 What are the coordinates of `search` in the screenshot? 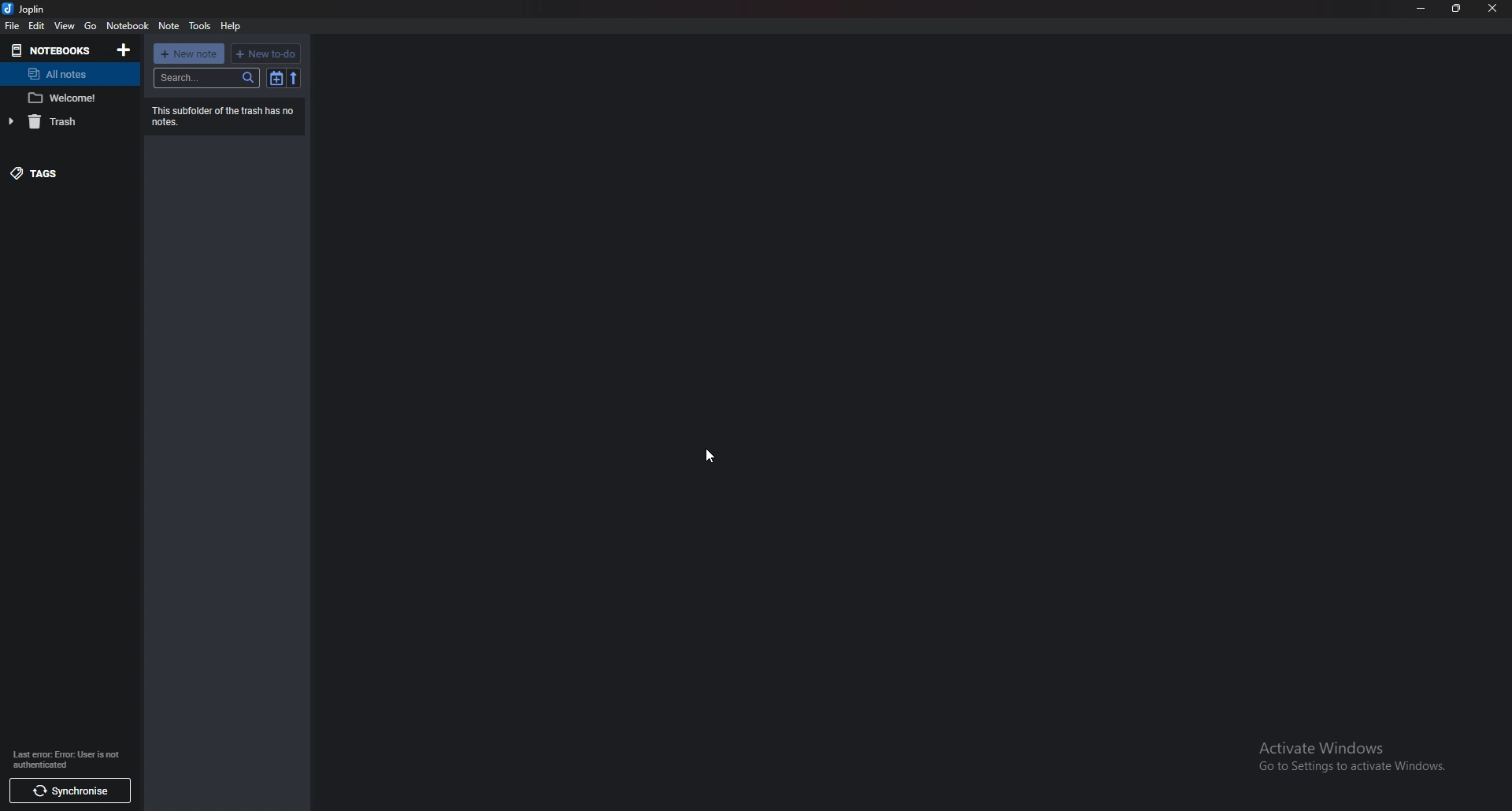 It's located at (208, 77).